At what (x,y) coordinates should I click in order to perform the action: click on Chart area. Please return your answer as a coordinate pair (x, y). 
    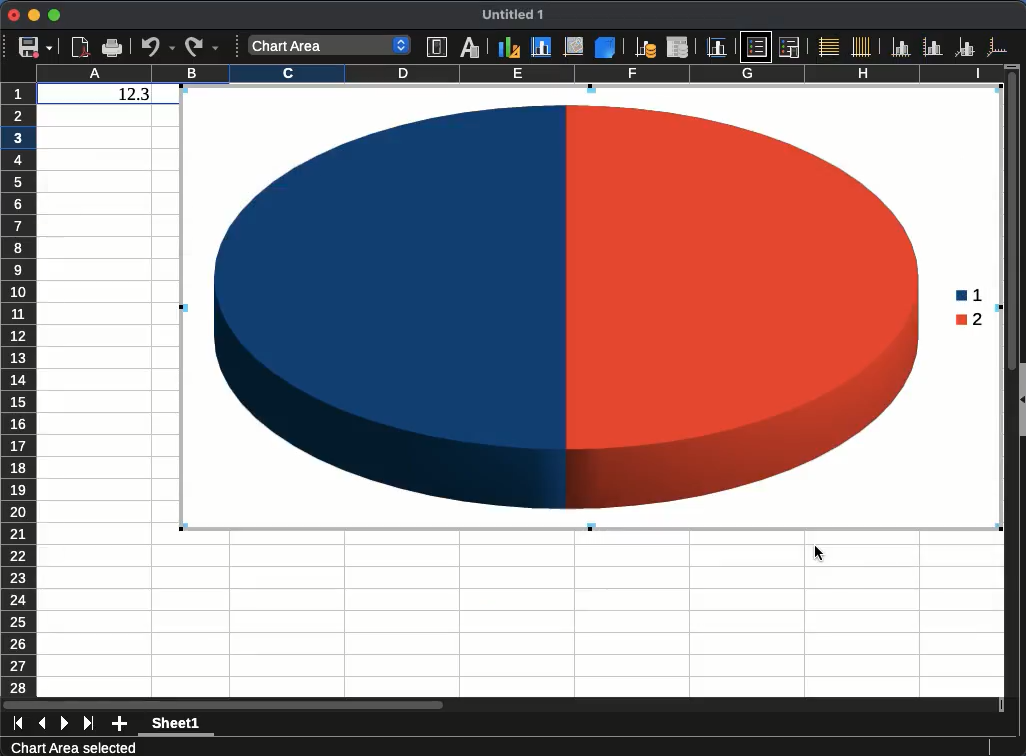
    Looking at the image, I should click on (542, 47).